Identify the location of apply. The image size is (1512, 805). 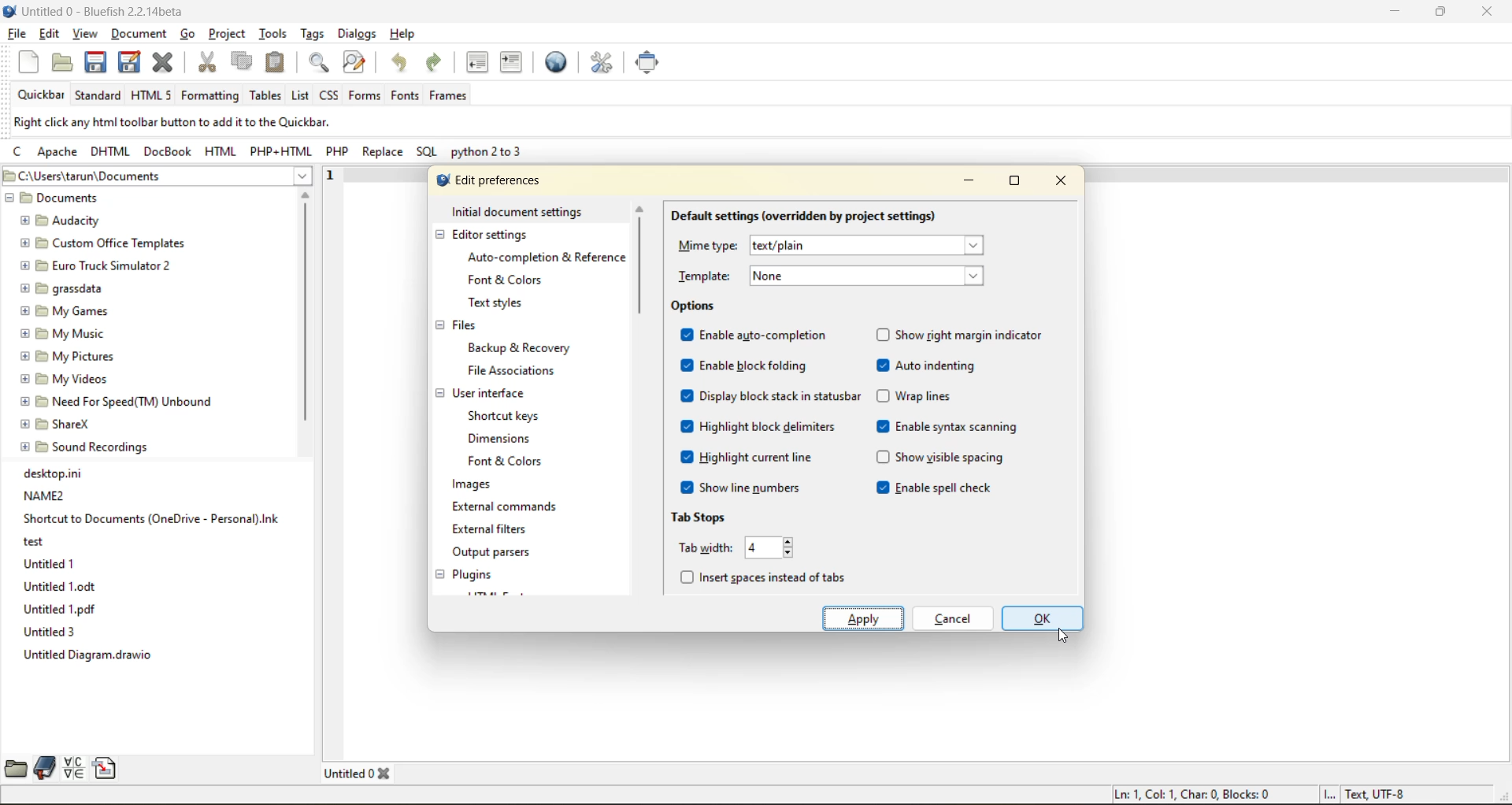
(865, 617).